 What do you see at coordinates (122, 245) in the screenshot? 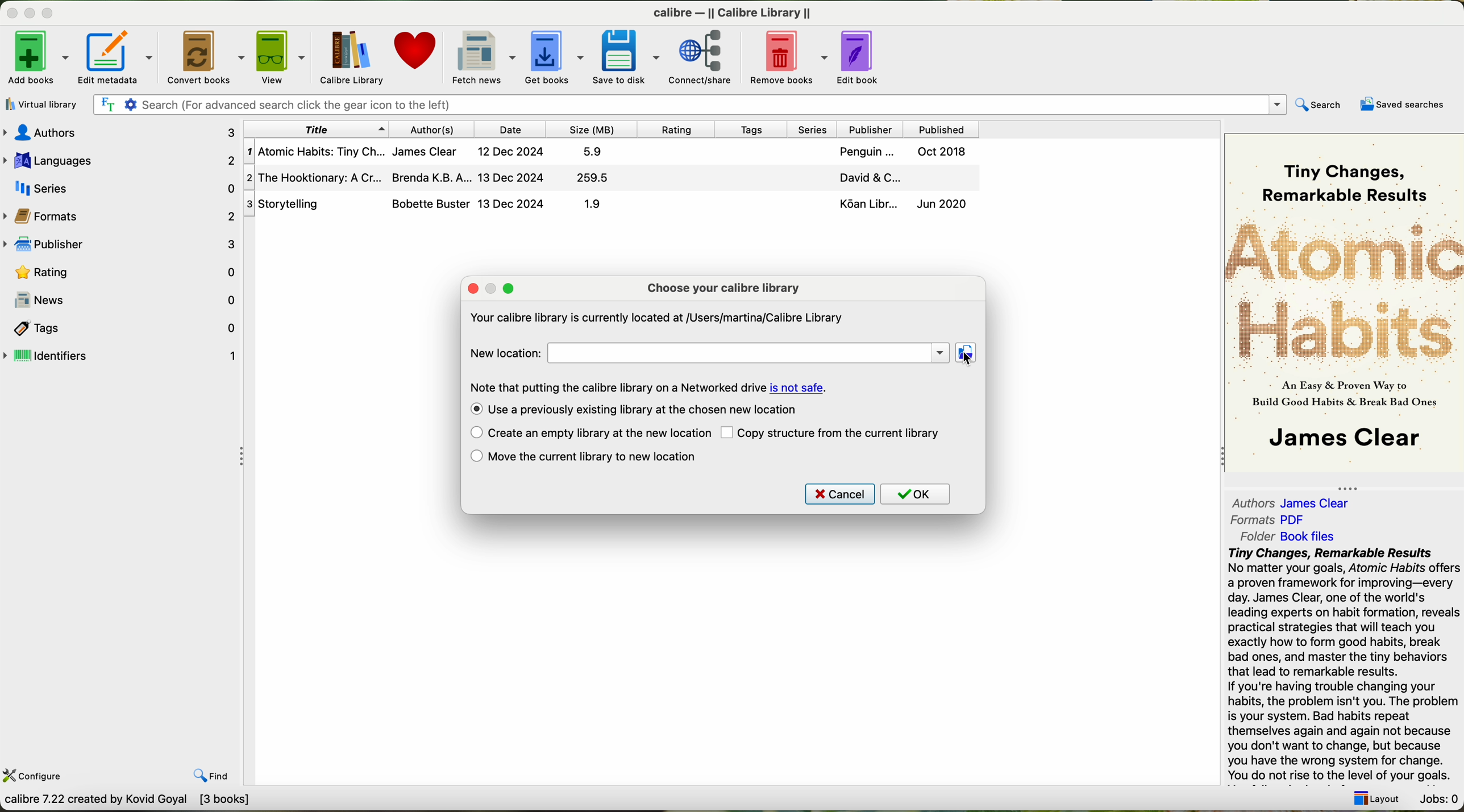
I see `publisher` at bounding box center [122, 245].